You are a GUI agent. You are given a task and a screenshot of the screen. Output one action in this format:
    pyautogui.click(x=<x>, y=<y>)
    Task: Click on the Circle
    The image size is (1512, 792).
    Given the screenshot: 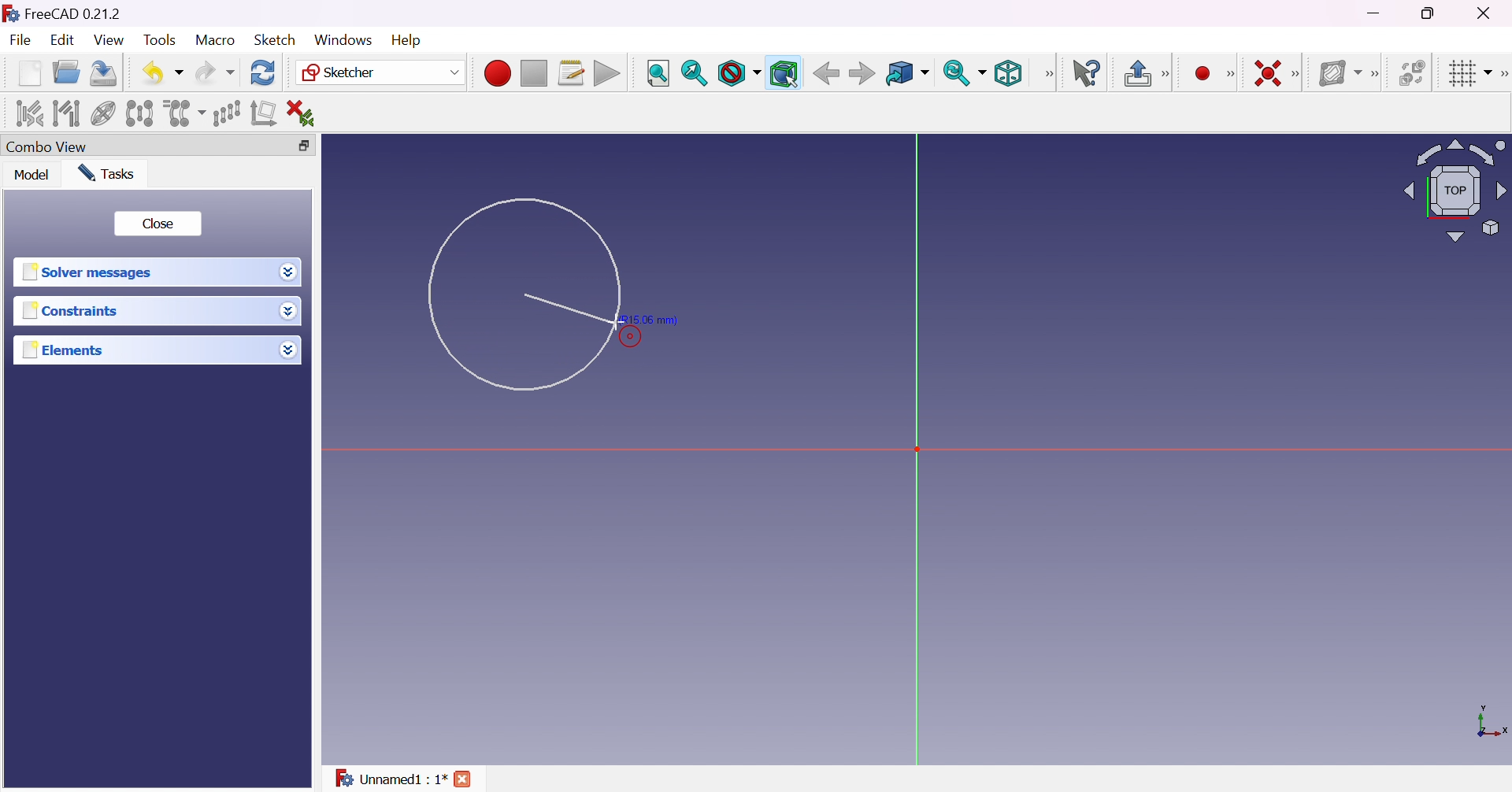 What is the action you would take?
    pyautogui.click(x=523, y=294)
    